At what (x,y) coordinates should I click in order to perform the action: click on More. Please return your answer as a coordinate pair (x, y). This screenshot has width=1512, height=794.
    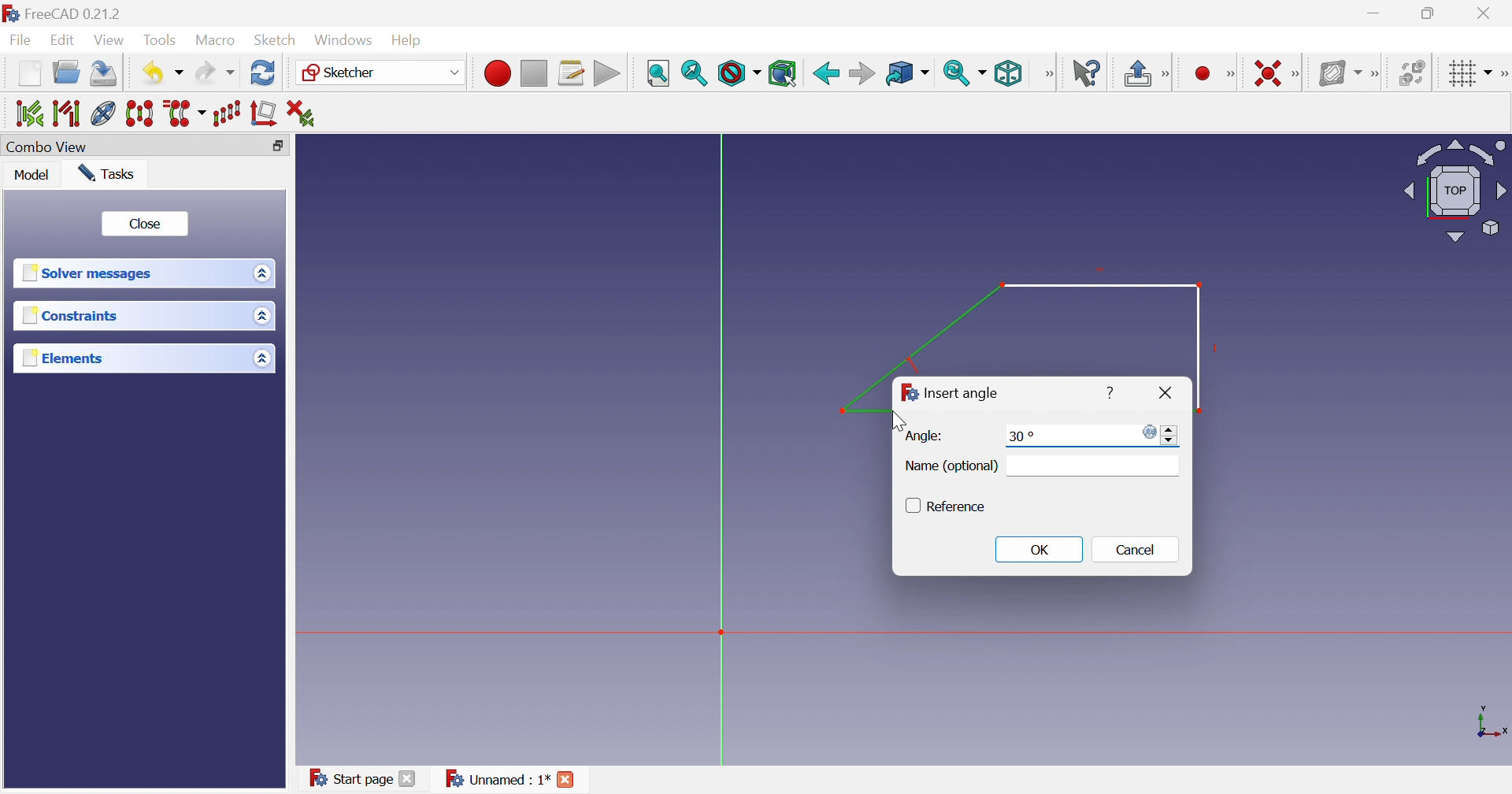
    Looking at the image, I should click on (1298, 72).